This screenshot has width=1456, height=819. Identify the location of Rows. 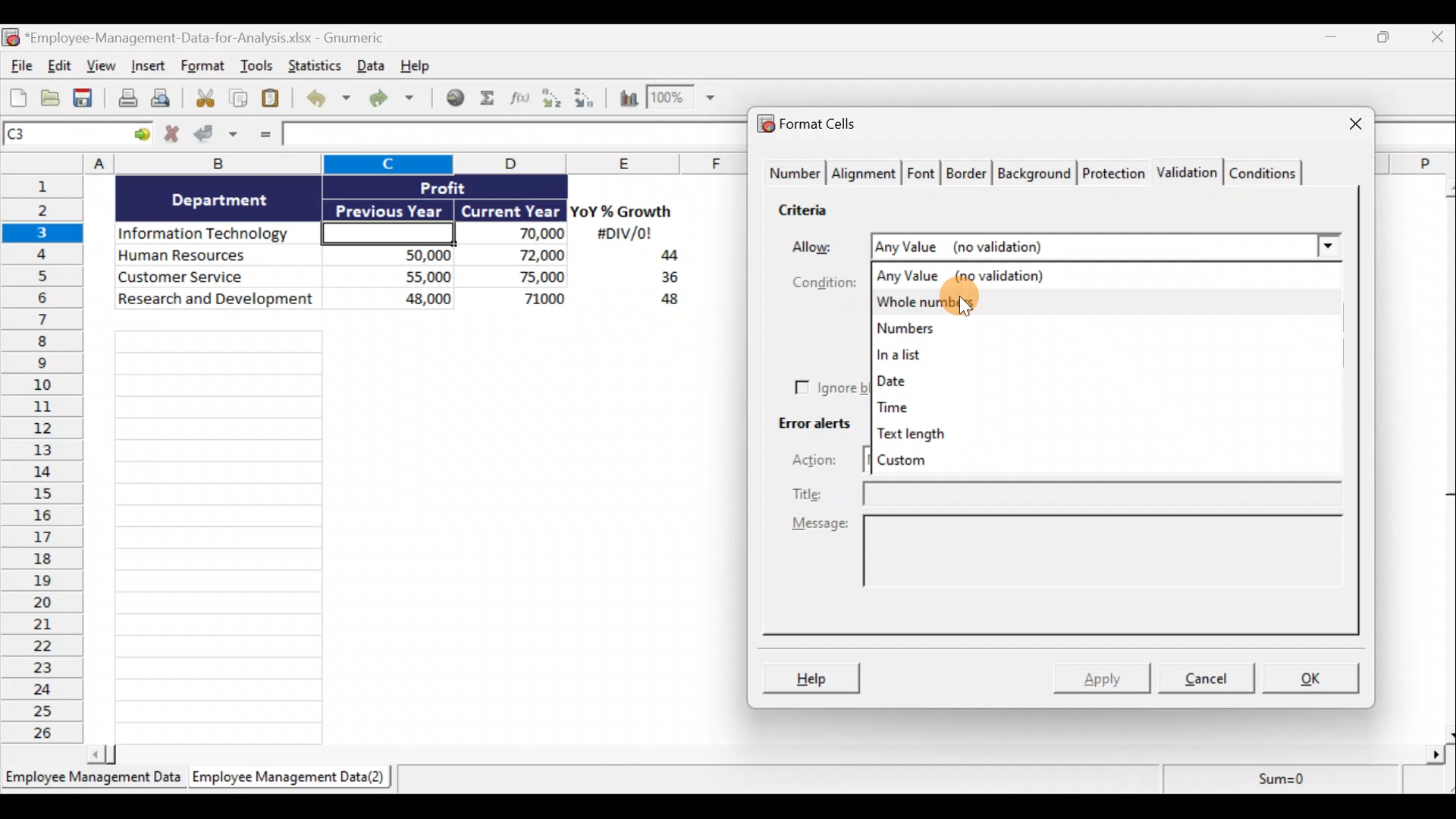
(47, 462).